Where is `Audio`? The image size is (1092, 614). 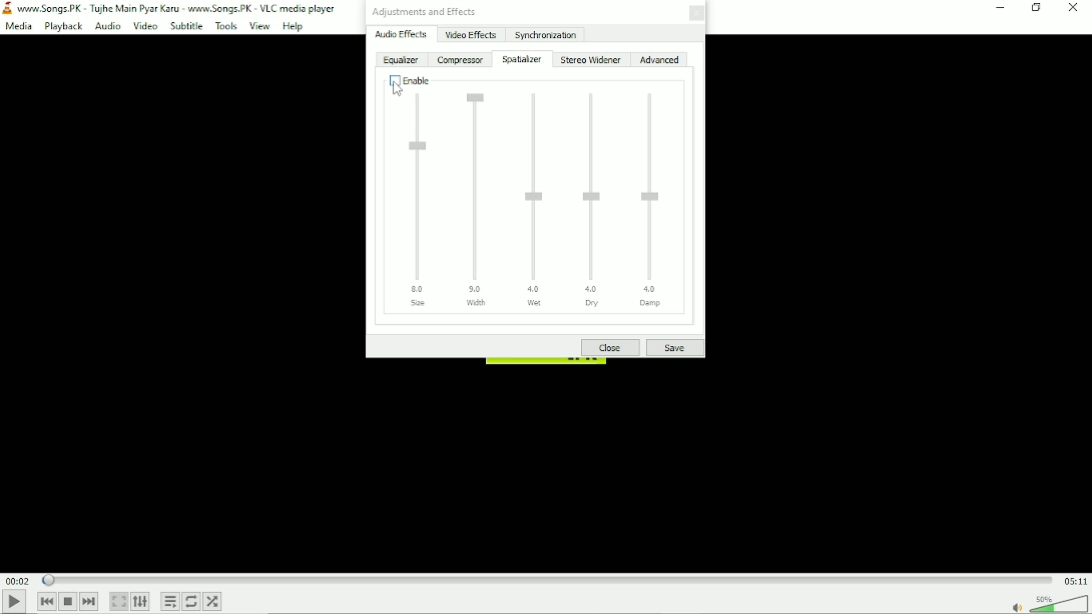
Audio is located at coordinates (107, 26).